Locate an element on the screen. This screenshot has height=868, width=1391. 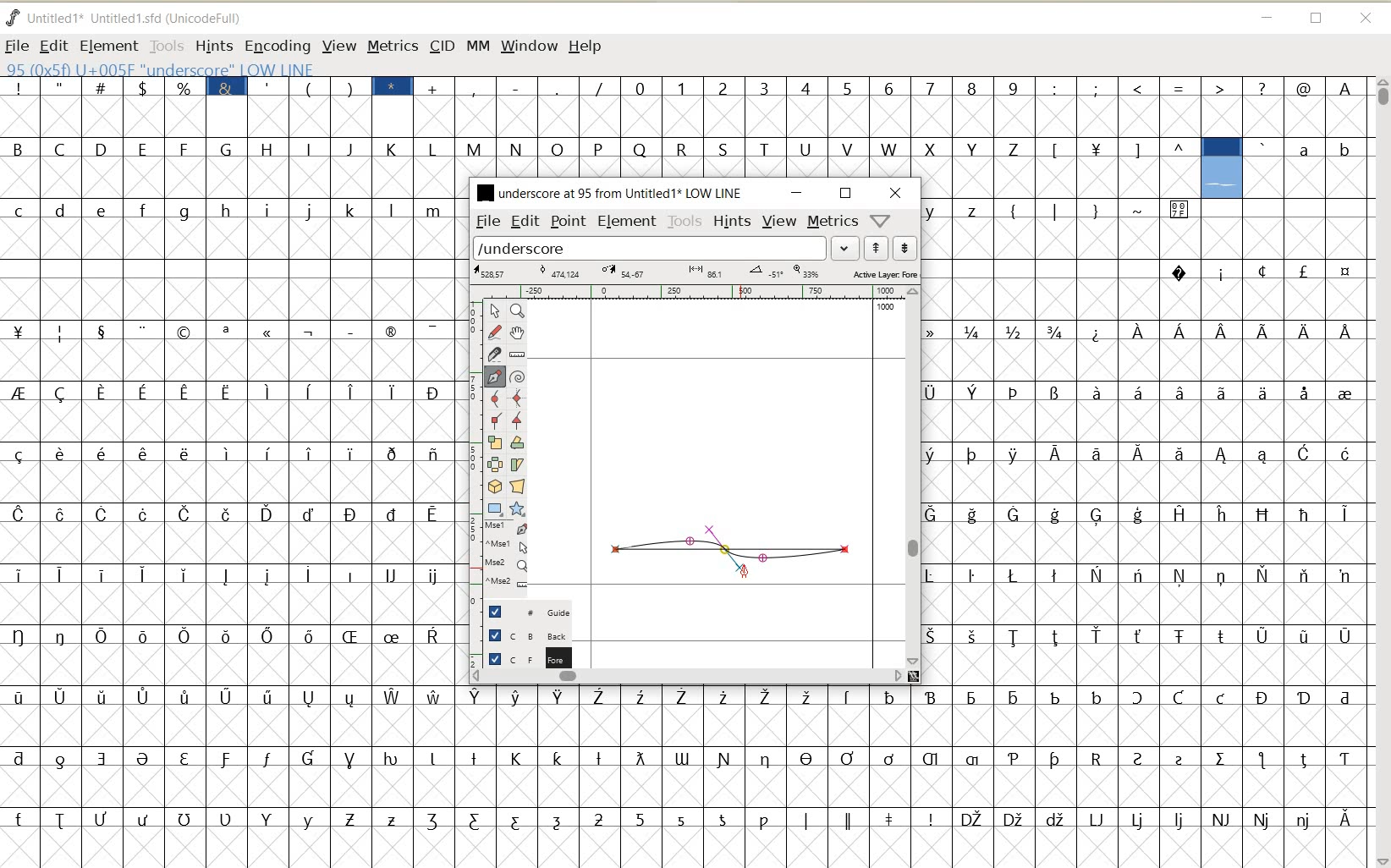
draw a freehand curve is located at coordinates (496, 332).